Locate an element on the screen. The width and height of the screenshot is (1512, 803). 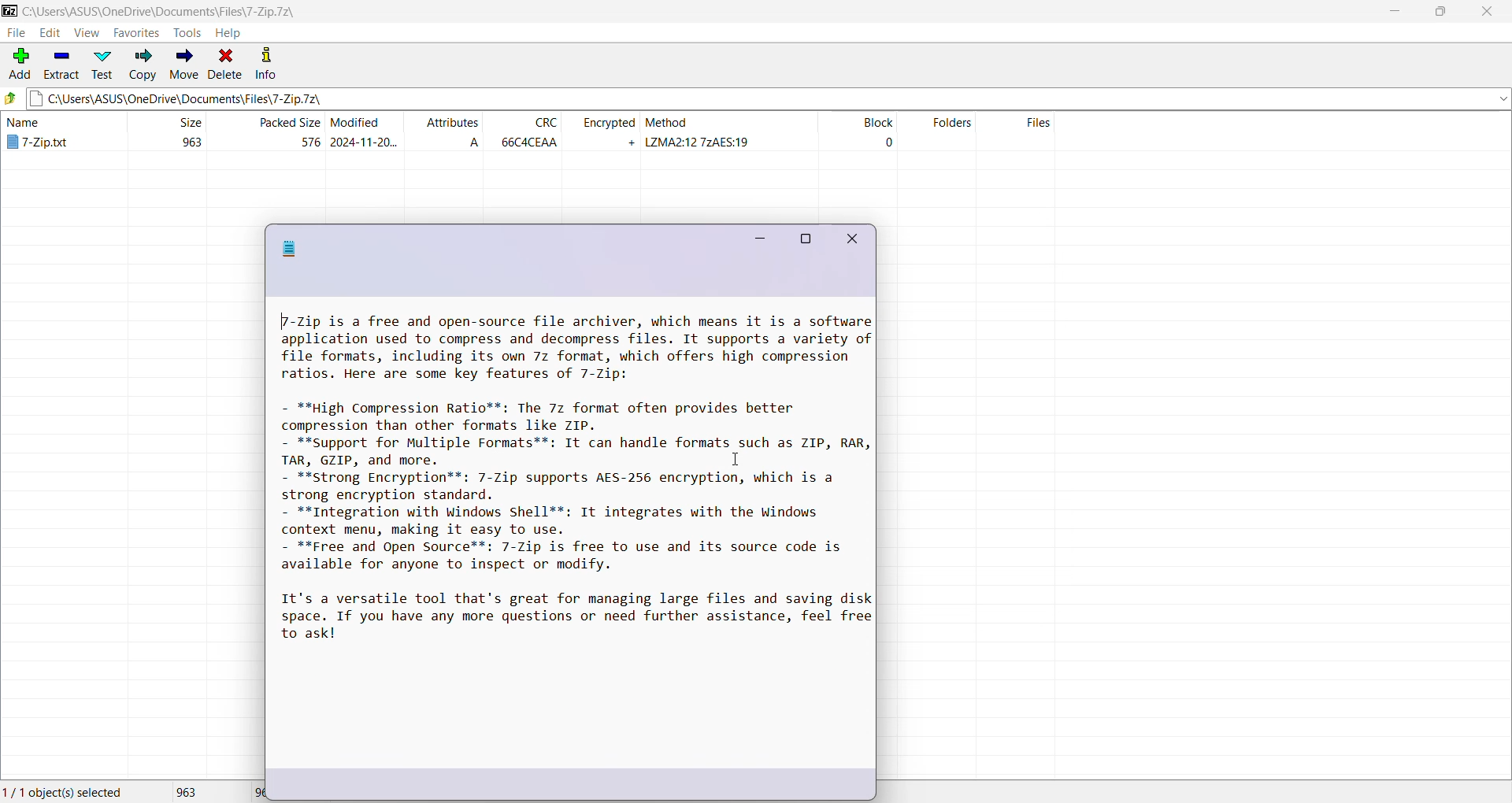
Restore Down is located at coordinates (1446, 11).